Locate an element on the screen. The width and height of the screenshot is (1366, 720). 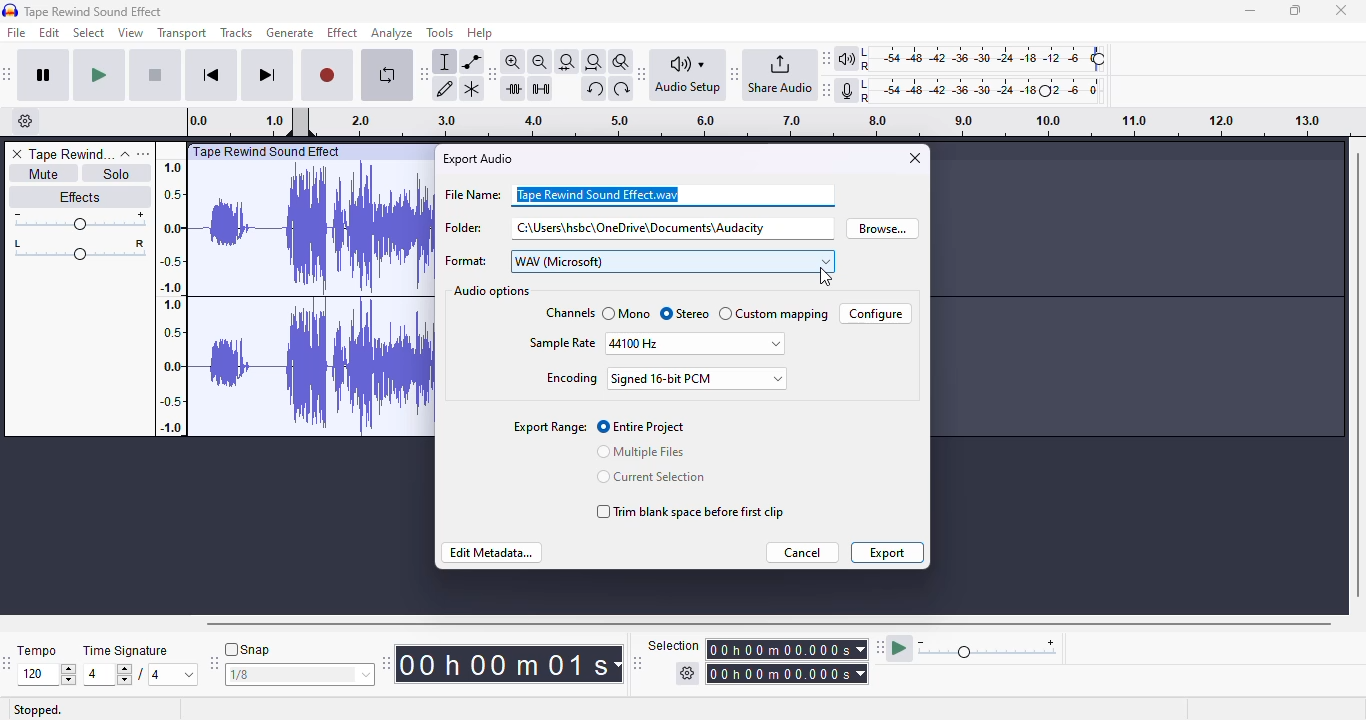
open menu is located at coordinates (146, 154).